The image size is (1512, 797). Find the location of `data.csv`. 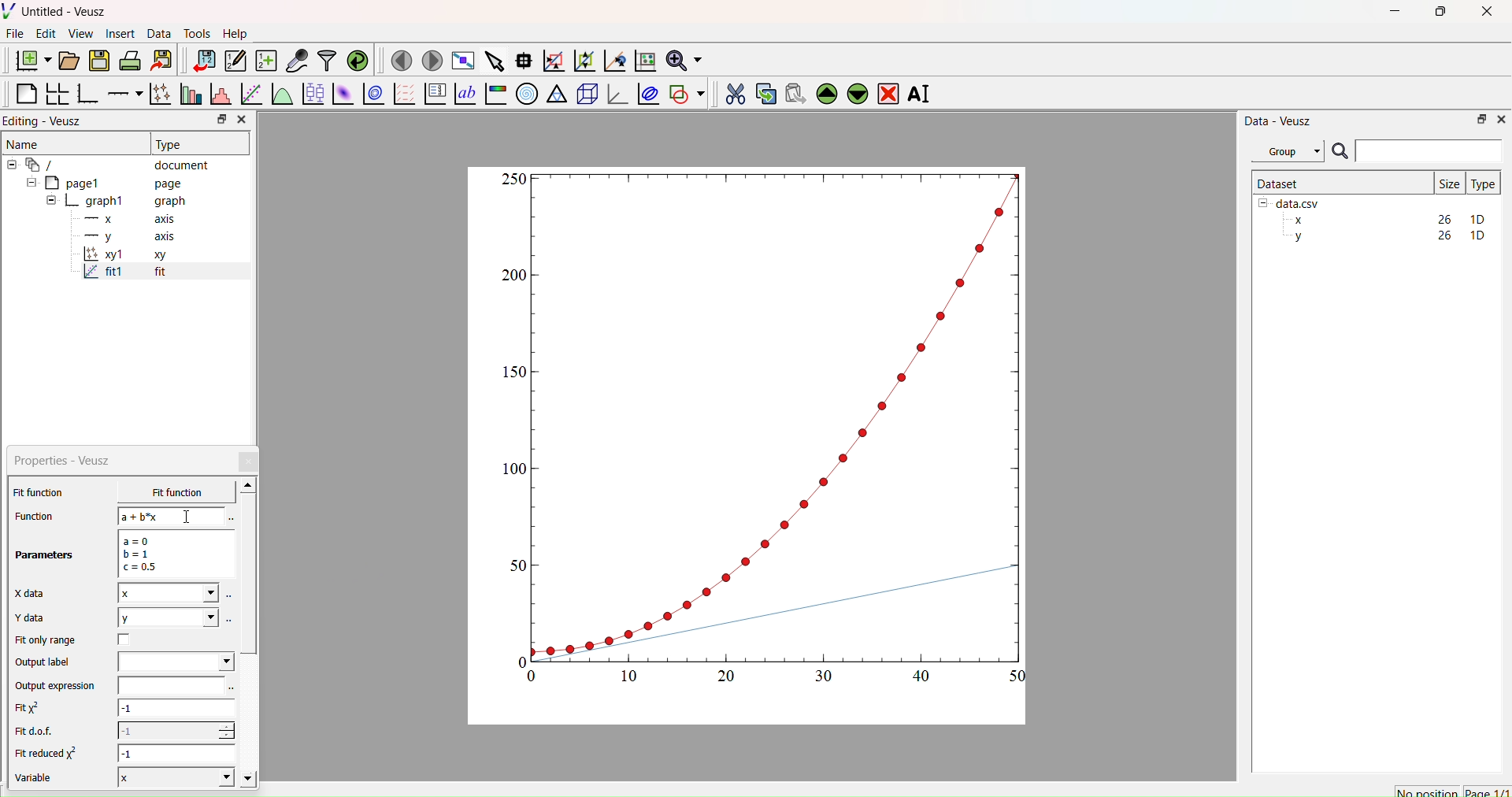

data.csv is located at coordinates (1291, 202).